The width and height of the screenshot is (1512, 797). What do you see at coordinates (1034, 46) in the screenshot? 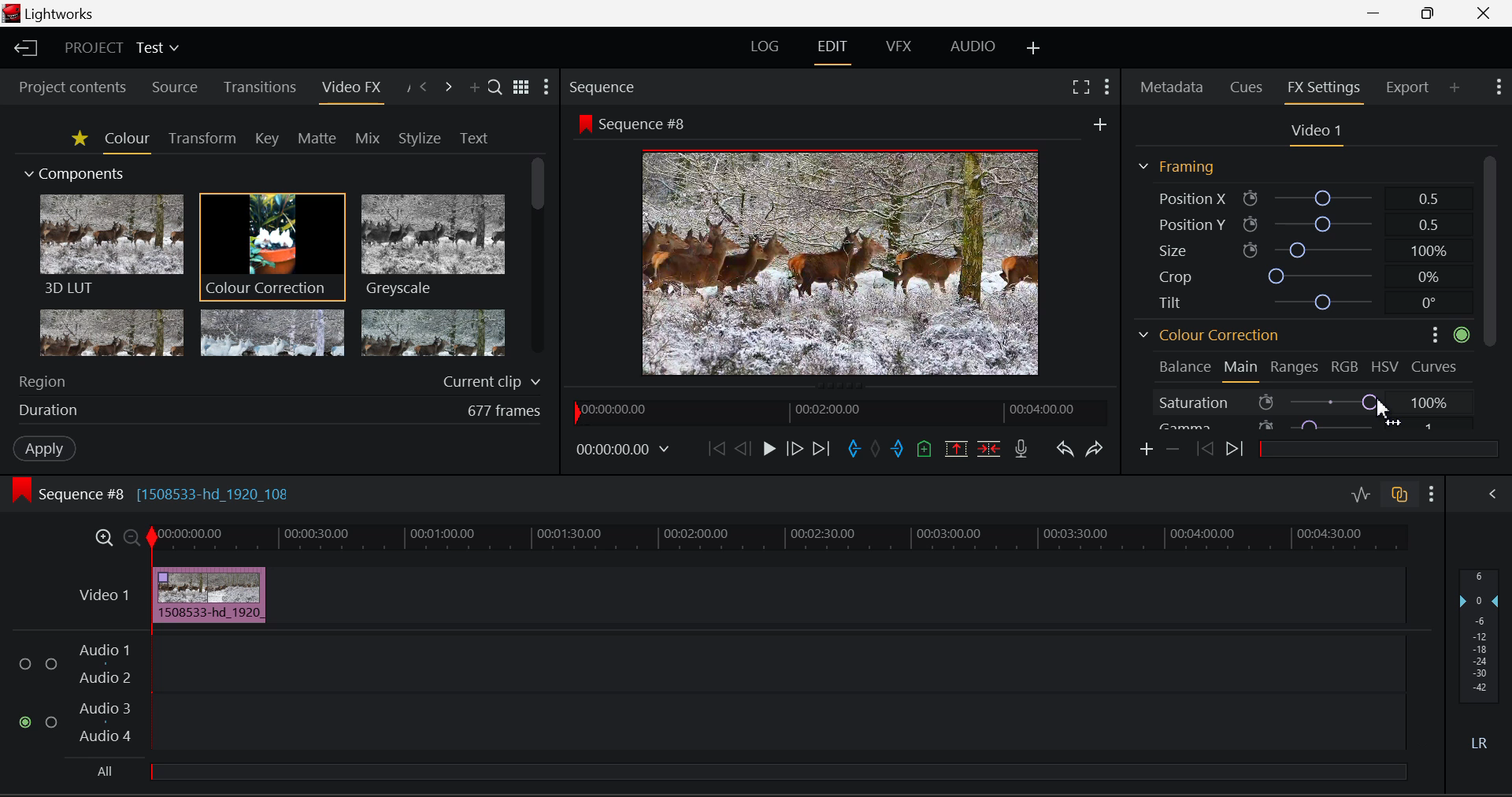
I see `Add Layout` at bounding box center [1034, 46].